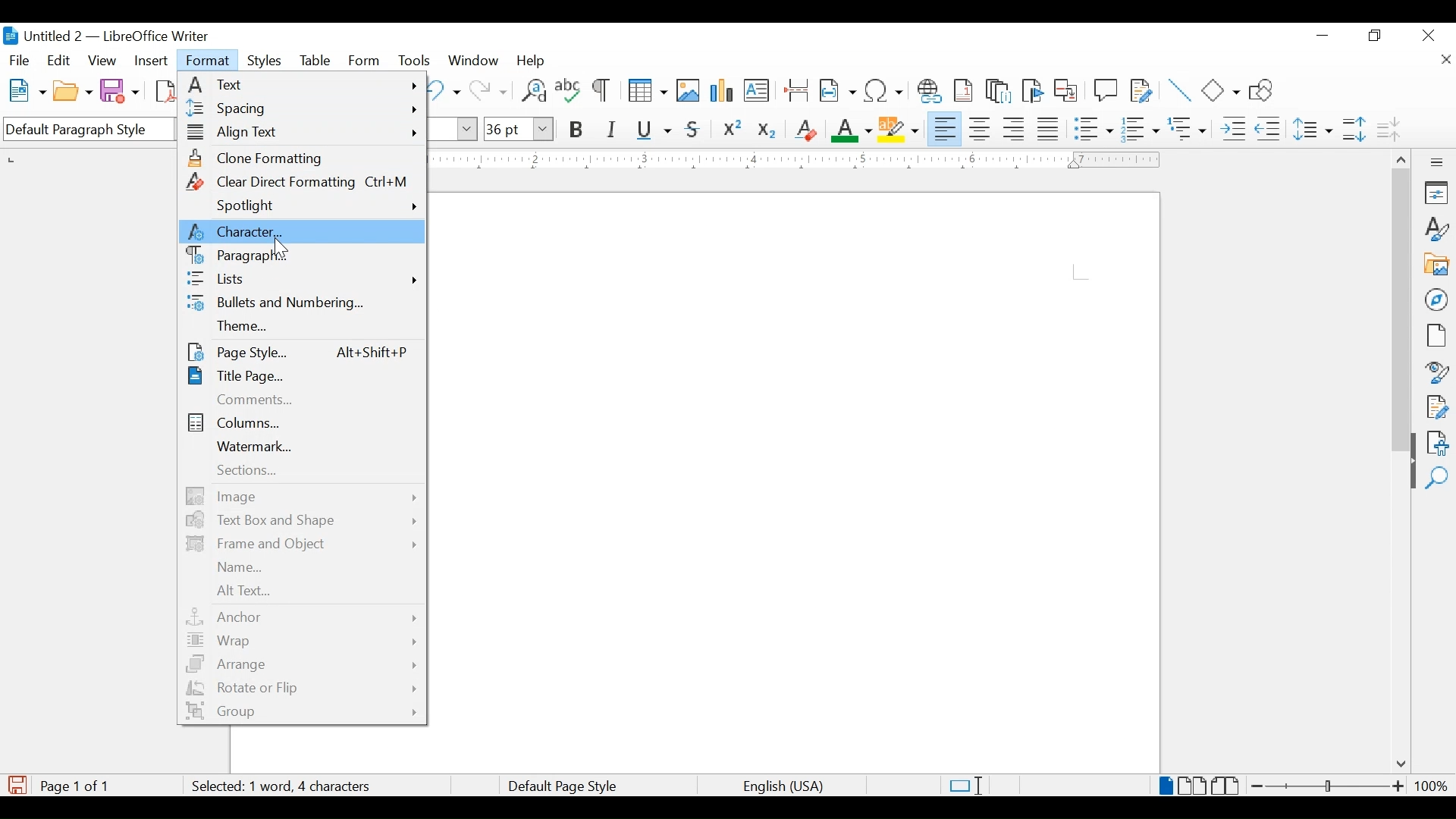 Image resolution: width=1456 pixels, height=819 pixels. I want to click on underline, so click(654, 130).